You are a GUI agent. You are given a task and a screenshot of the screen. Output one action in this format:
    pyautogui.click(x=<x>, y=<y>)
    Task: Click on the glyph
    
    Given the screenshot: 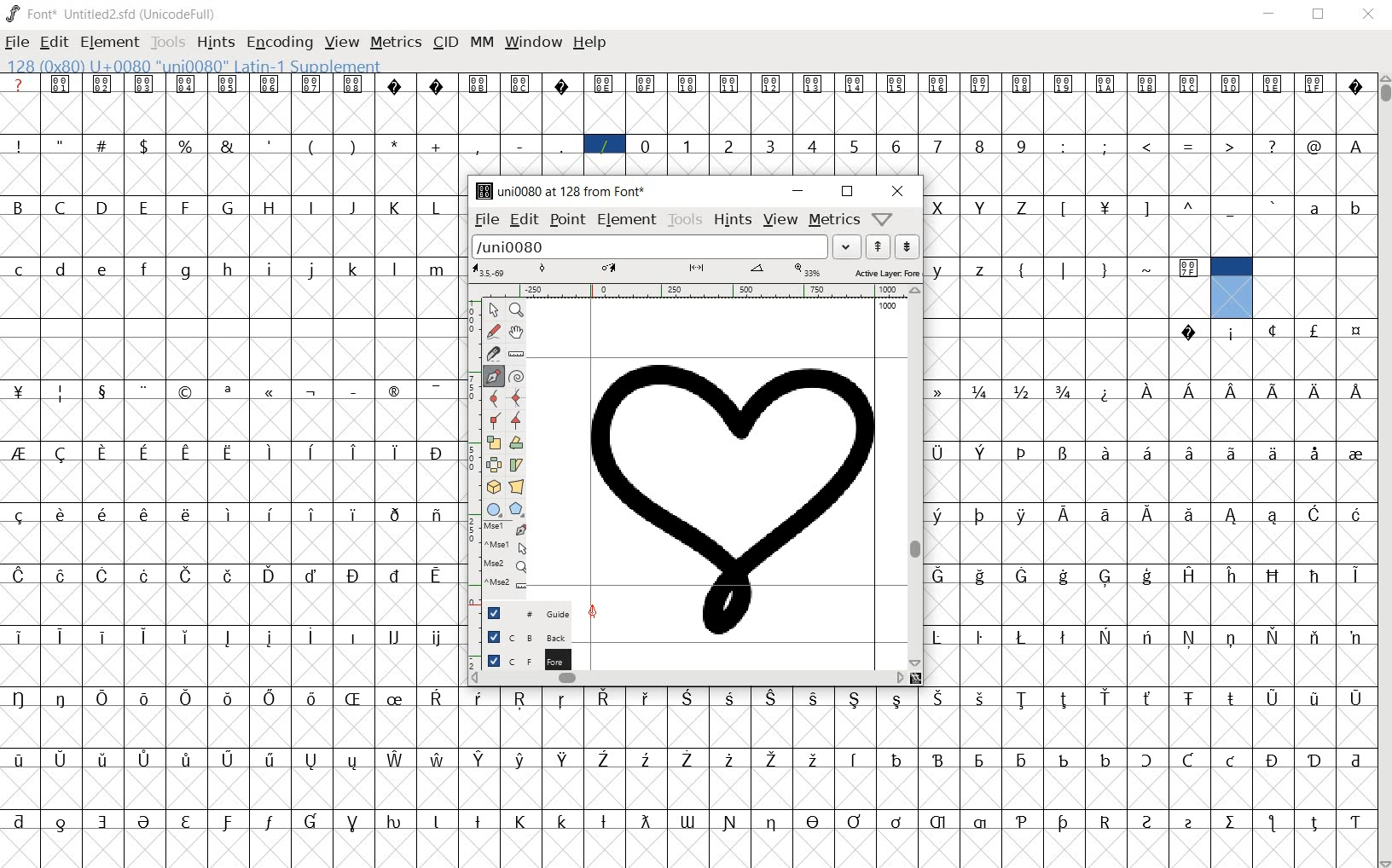 What is the action you would take?
    pyautogui.click(x=813, y=84)
    